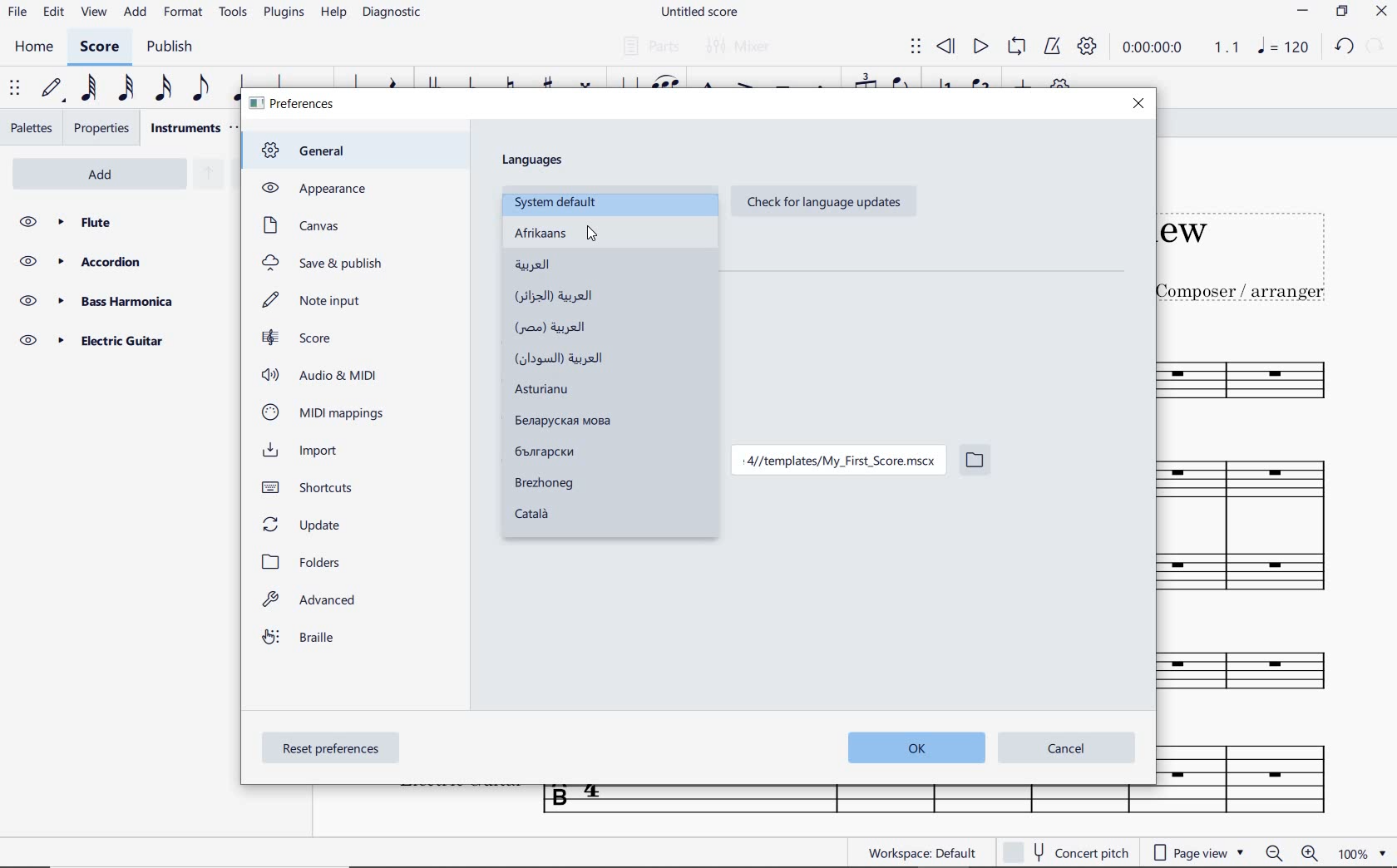  I want to click on properties, so click(101, 128).